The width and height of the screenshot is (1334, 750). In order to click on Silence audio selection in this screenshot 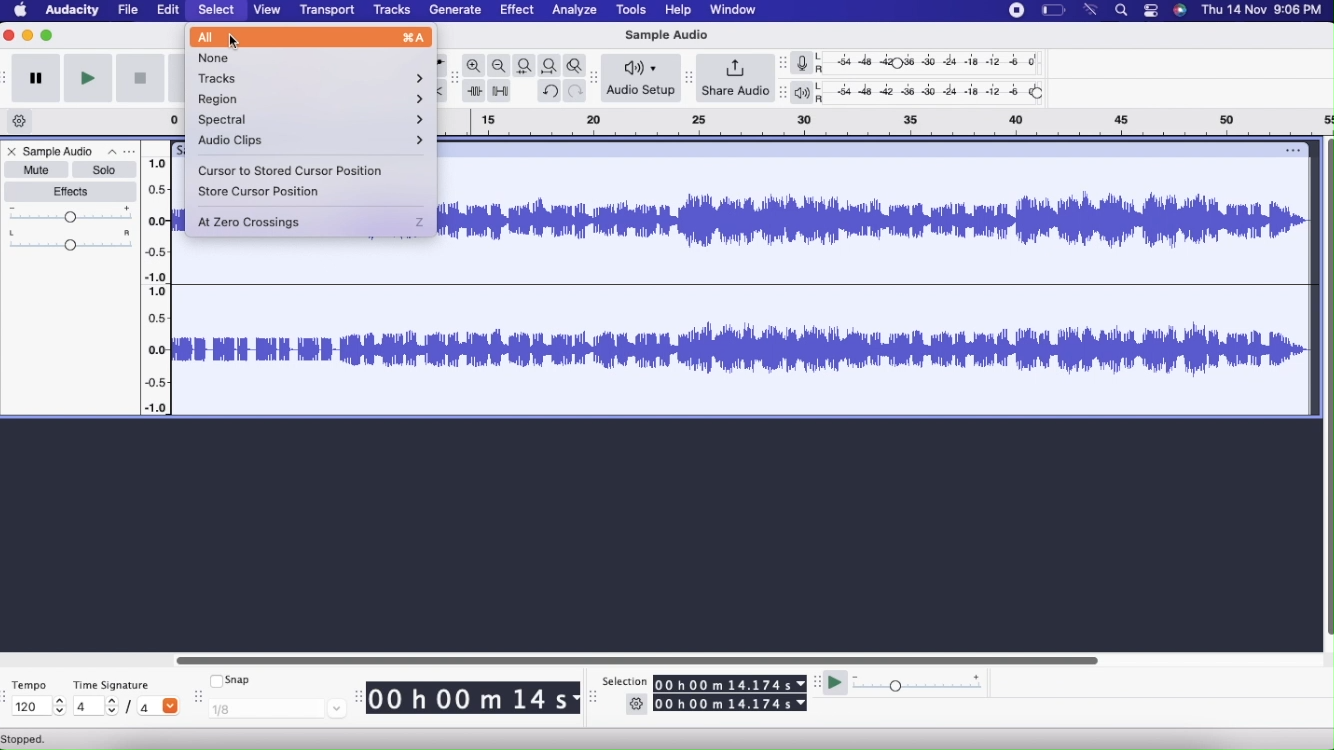, I will do `click(501, 91)`.